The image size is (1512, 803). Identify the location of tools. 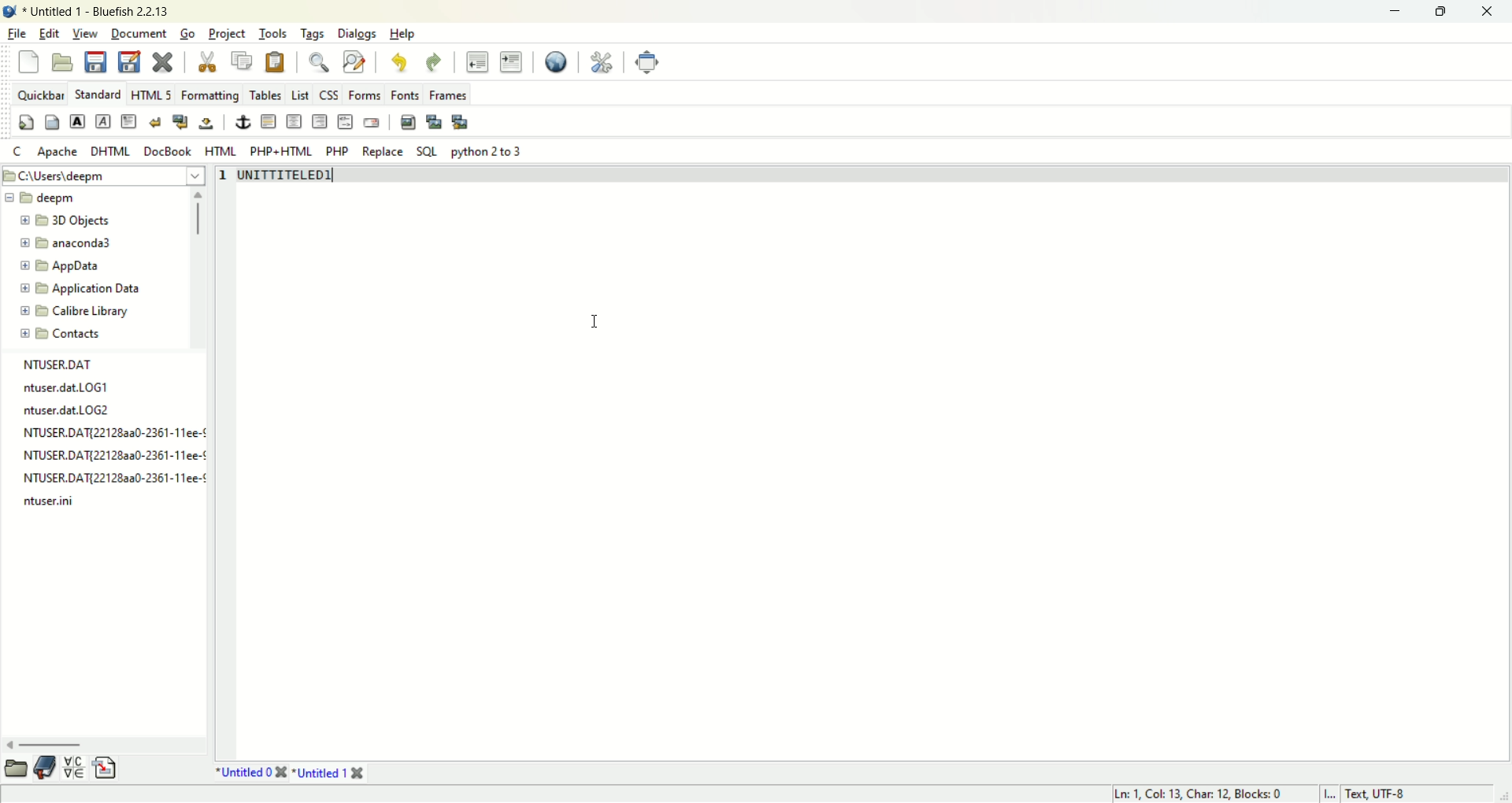
(273, 35).